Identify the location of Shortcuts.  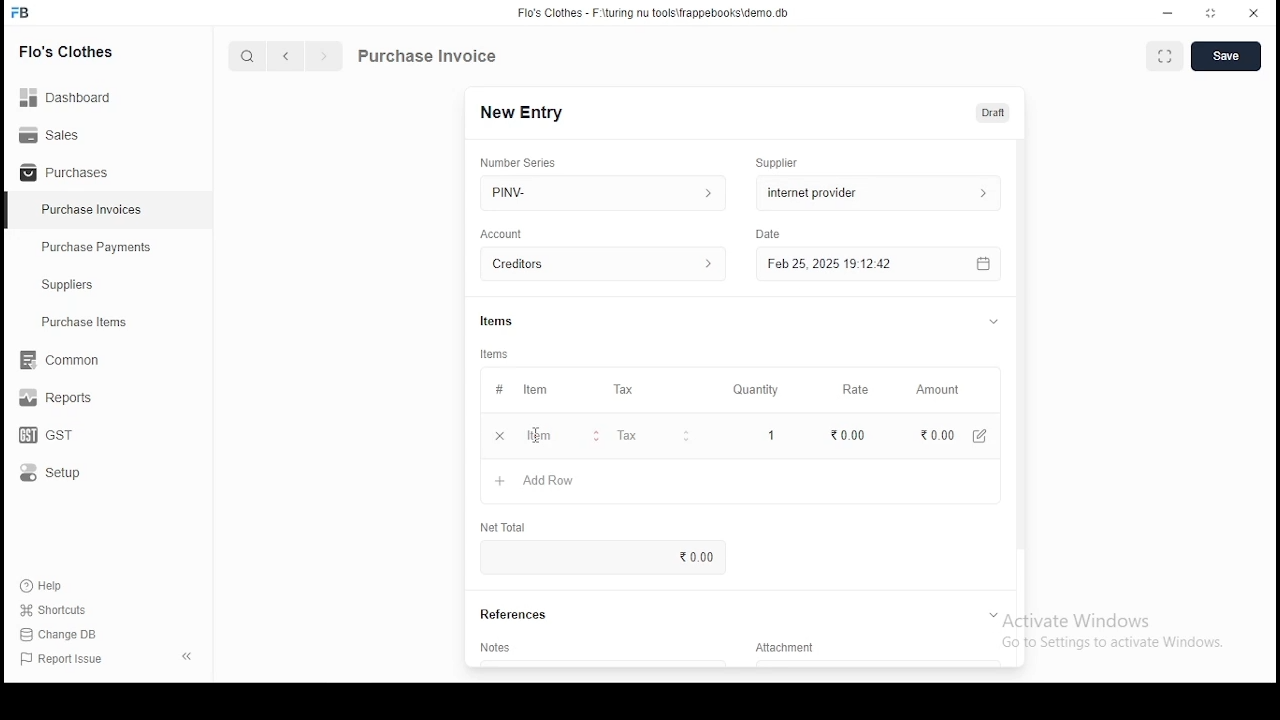
(61, 610).